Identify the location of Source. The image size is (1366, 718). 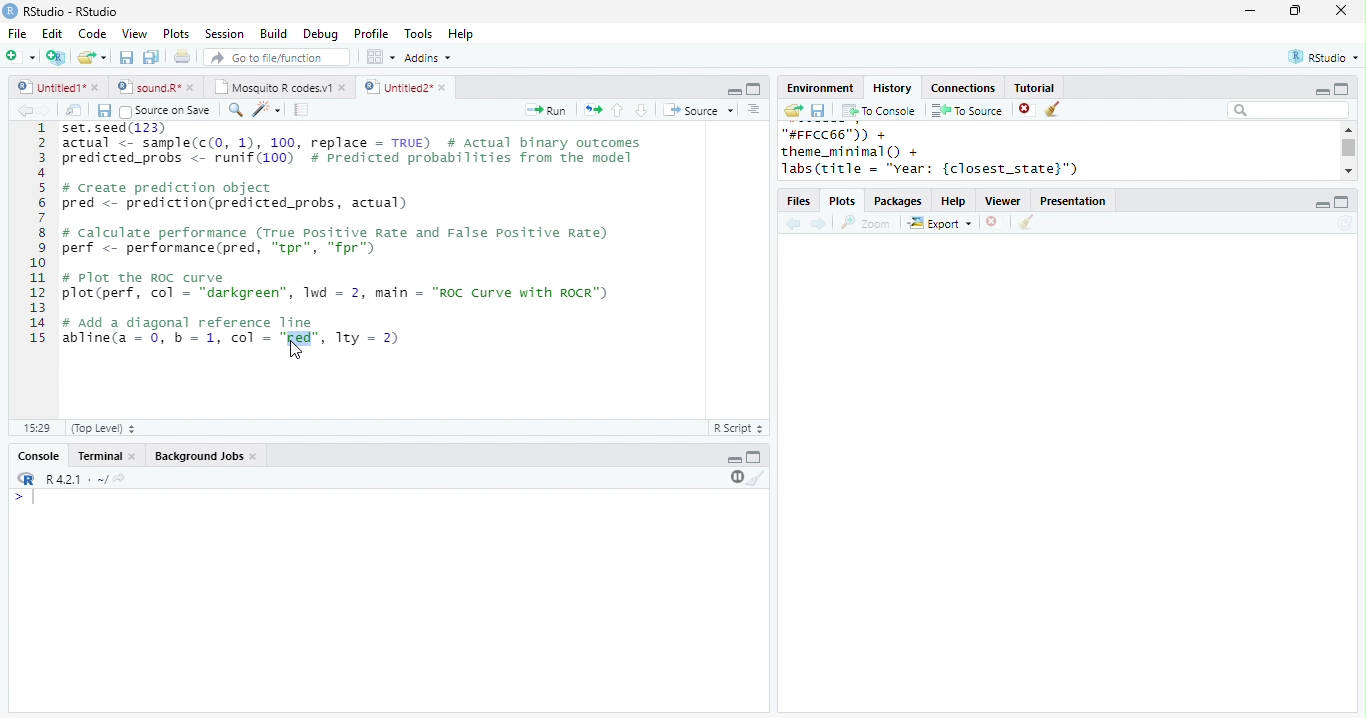
(700, 110).